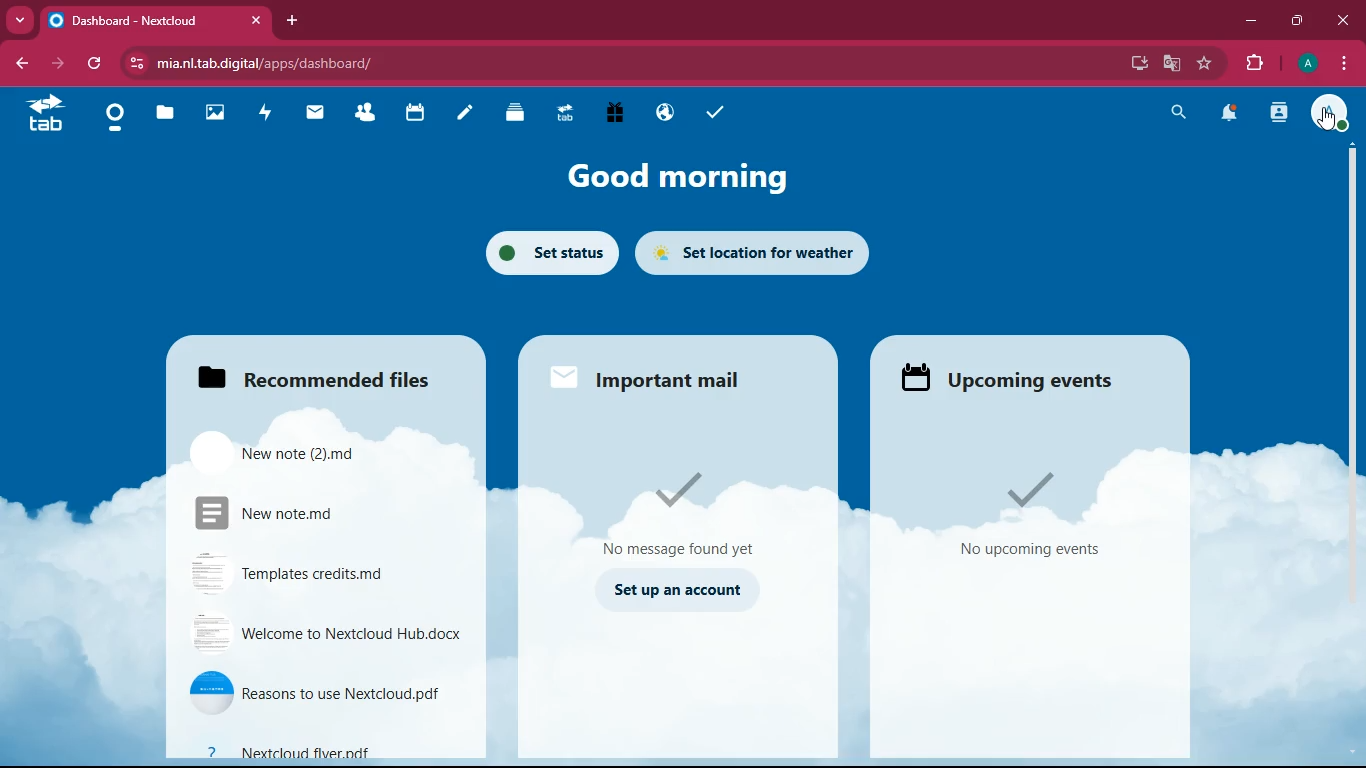  Describe the element at coordinates (313, 575) in the screenshot. I see `file` at that location.